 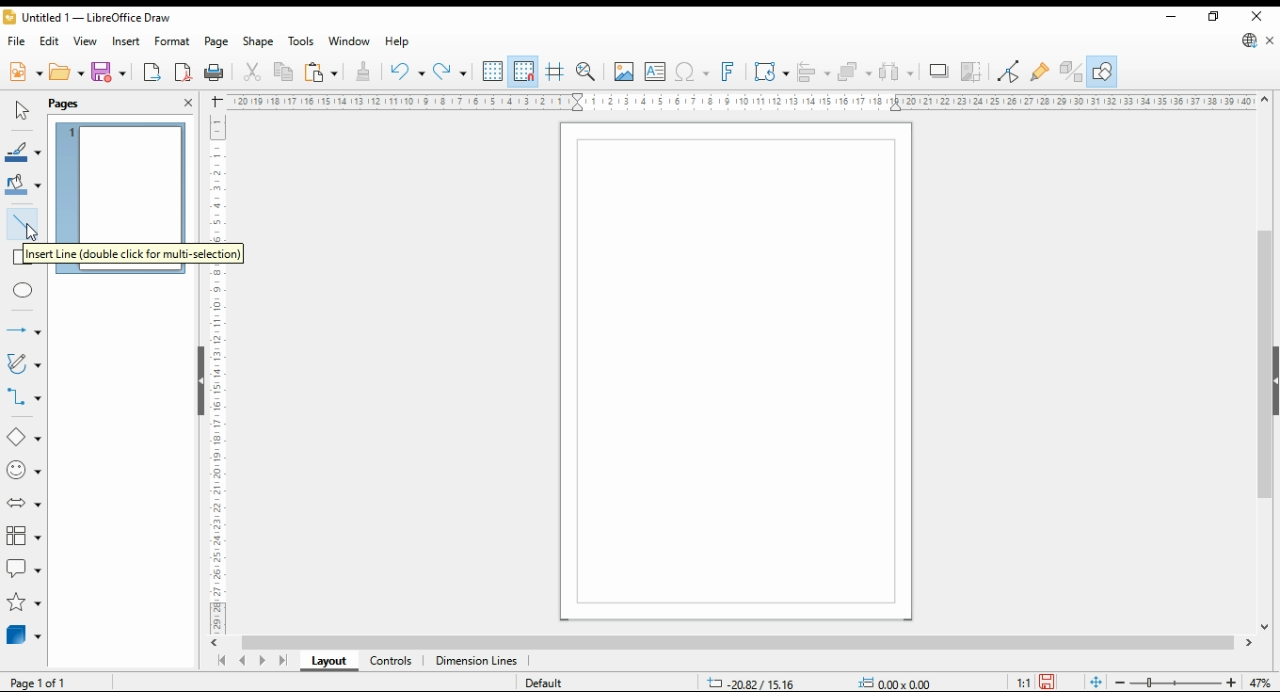 What do you see at coordinates (406, 72) in the screenshot?
I see `undo` at bounding box center [406, 72].